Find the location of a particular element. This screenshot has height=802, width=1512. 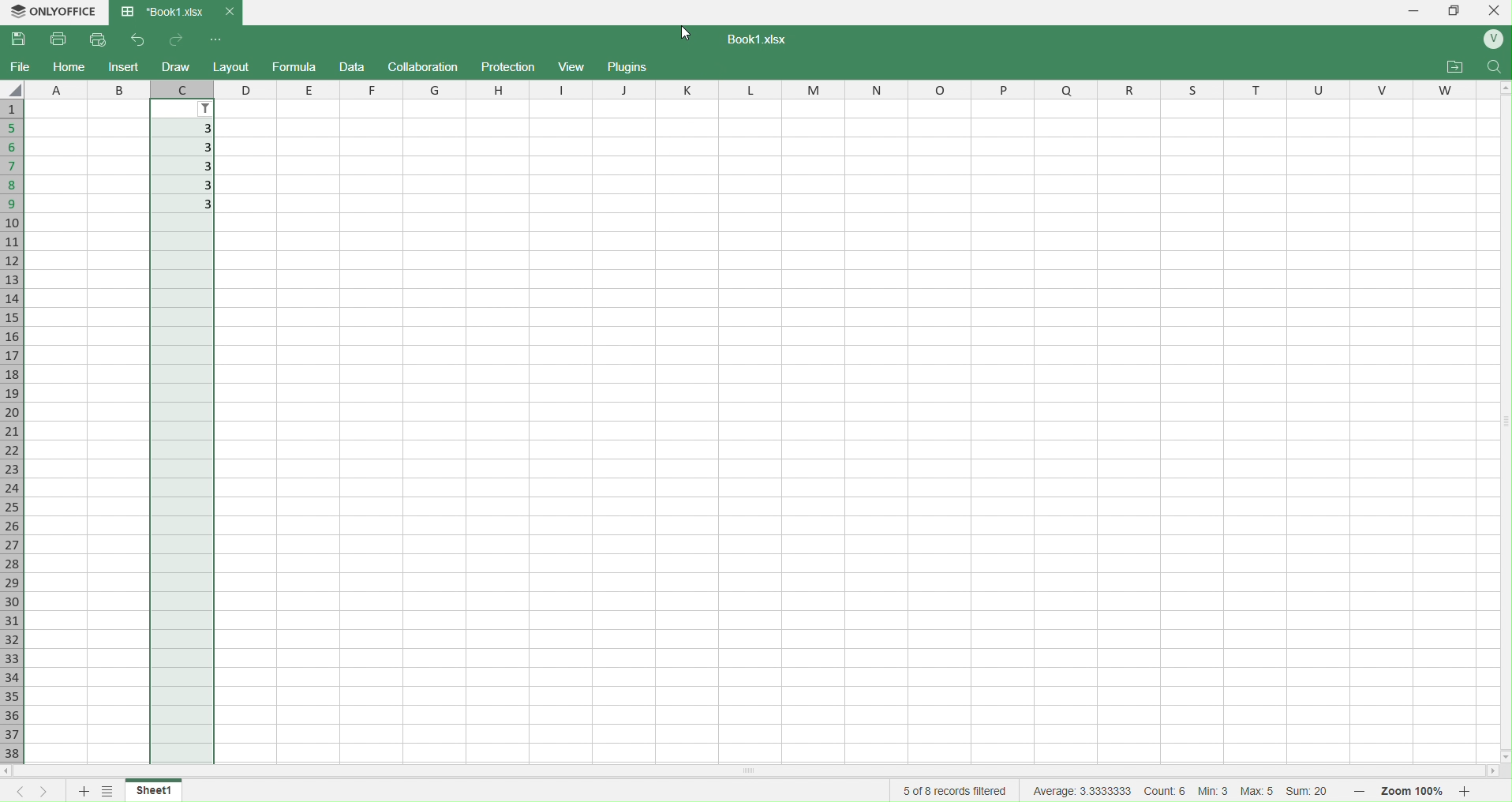

Zoom is located at coordinates (1414, 792).